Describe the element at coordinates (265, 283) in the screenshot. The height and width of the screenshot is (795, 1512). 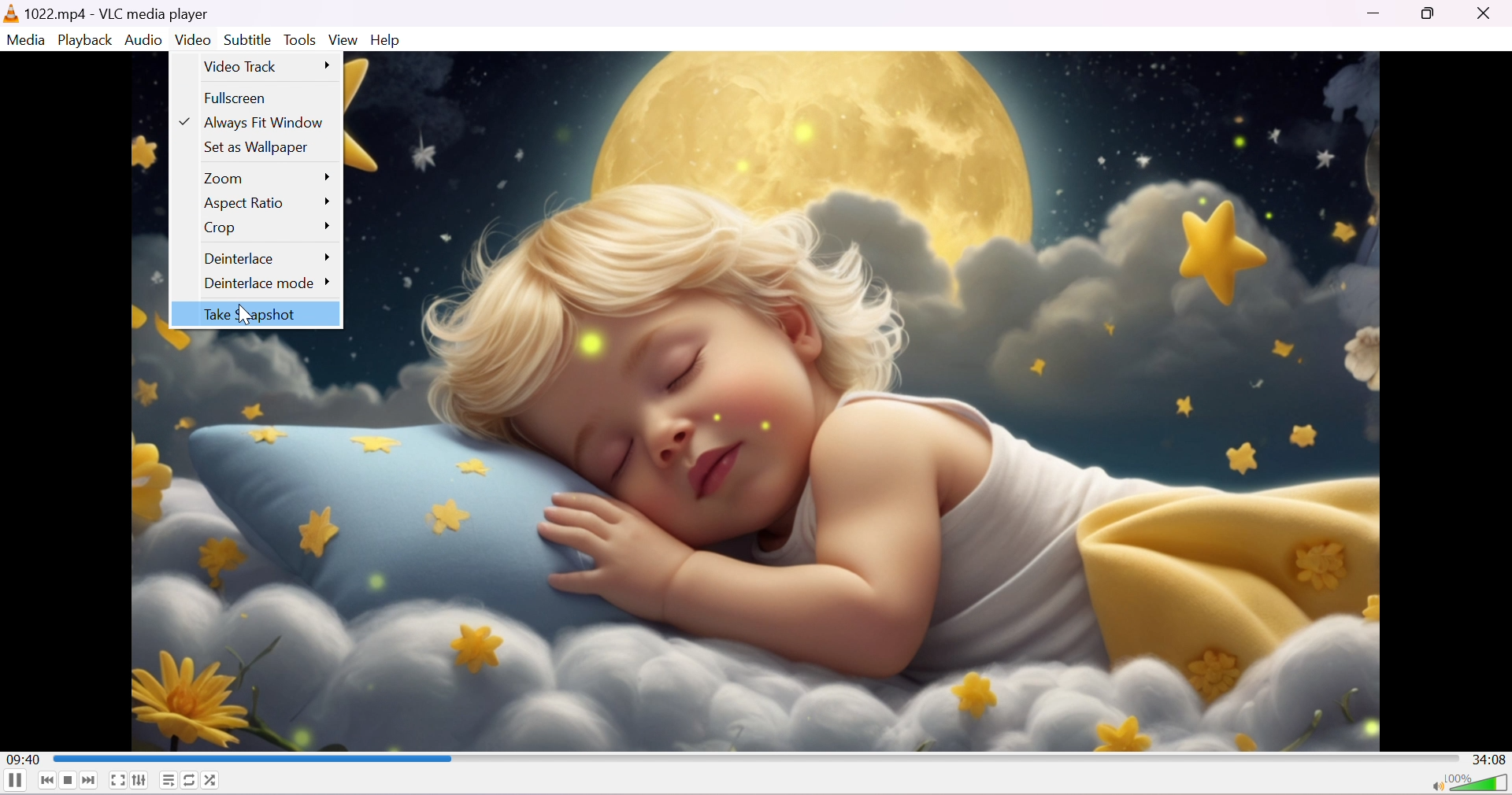
I see `Deinterlace mode` at that location.